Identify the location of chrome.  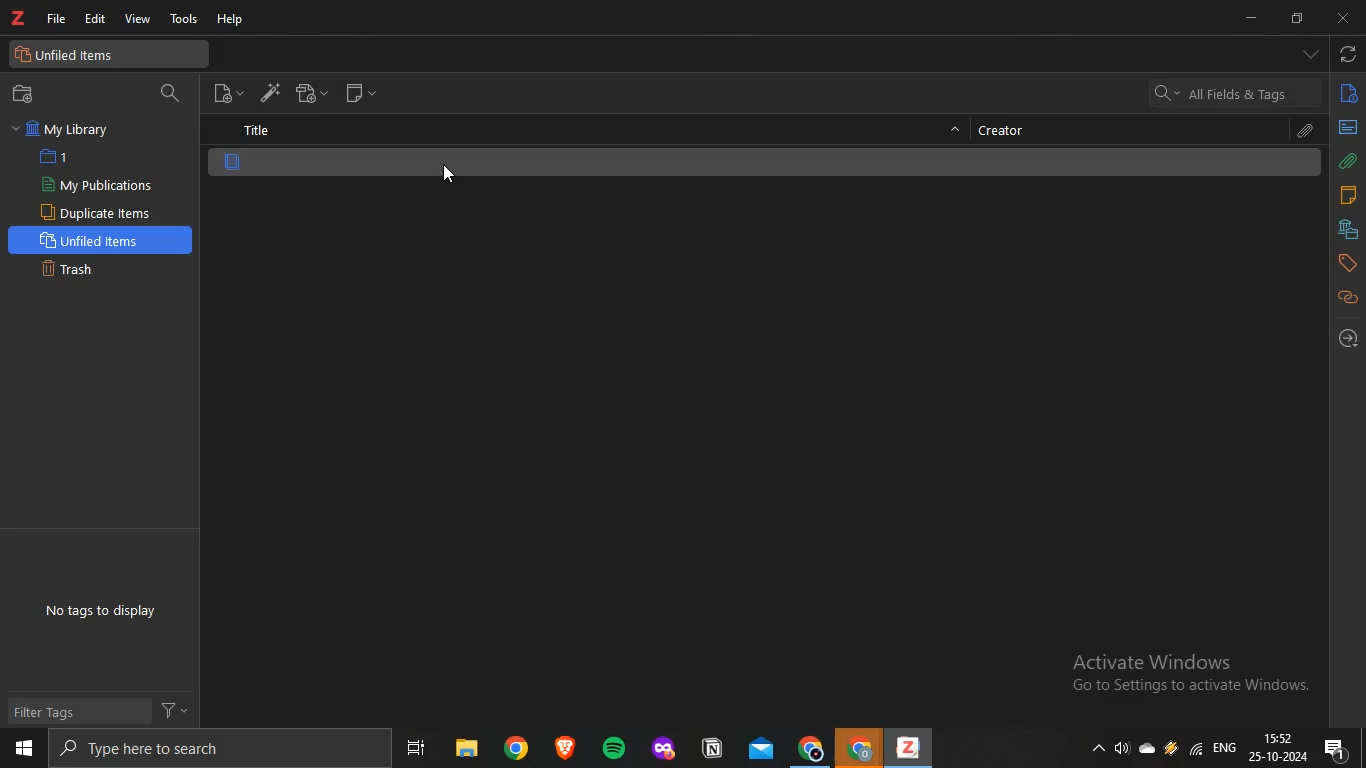
(860, 748).